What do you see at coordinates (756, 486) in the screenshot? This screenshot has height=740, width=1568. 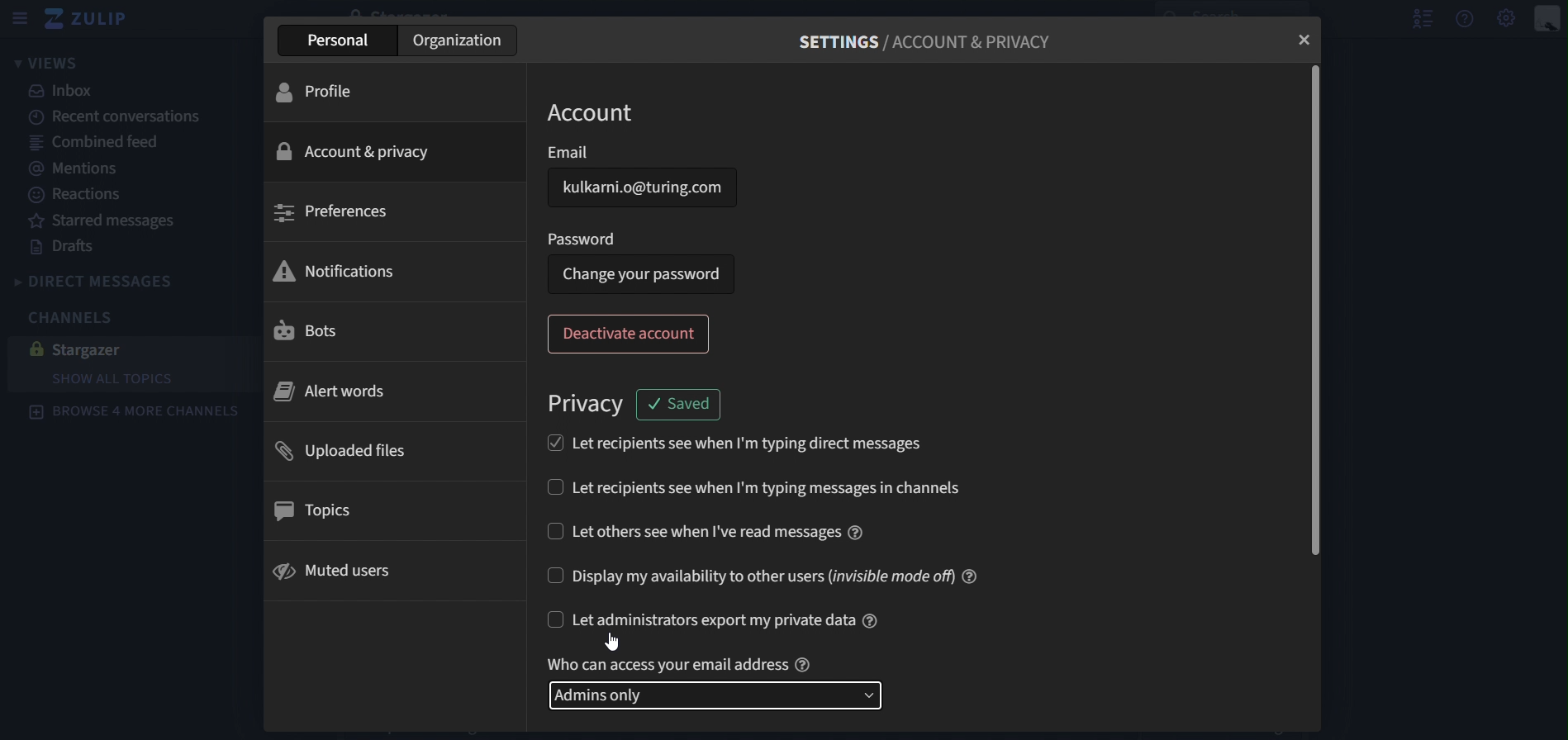 I see `let recipients see when I'm typing messages in channels` at bounding box center [756, 486].